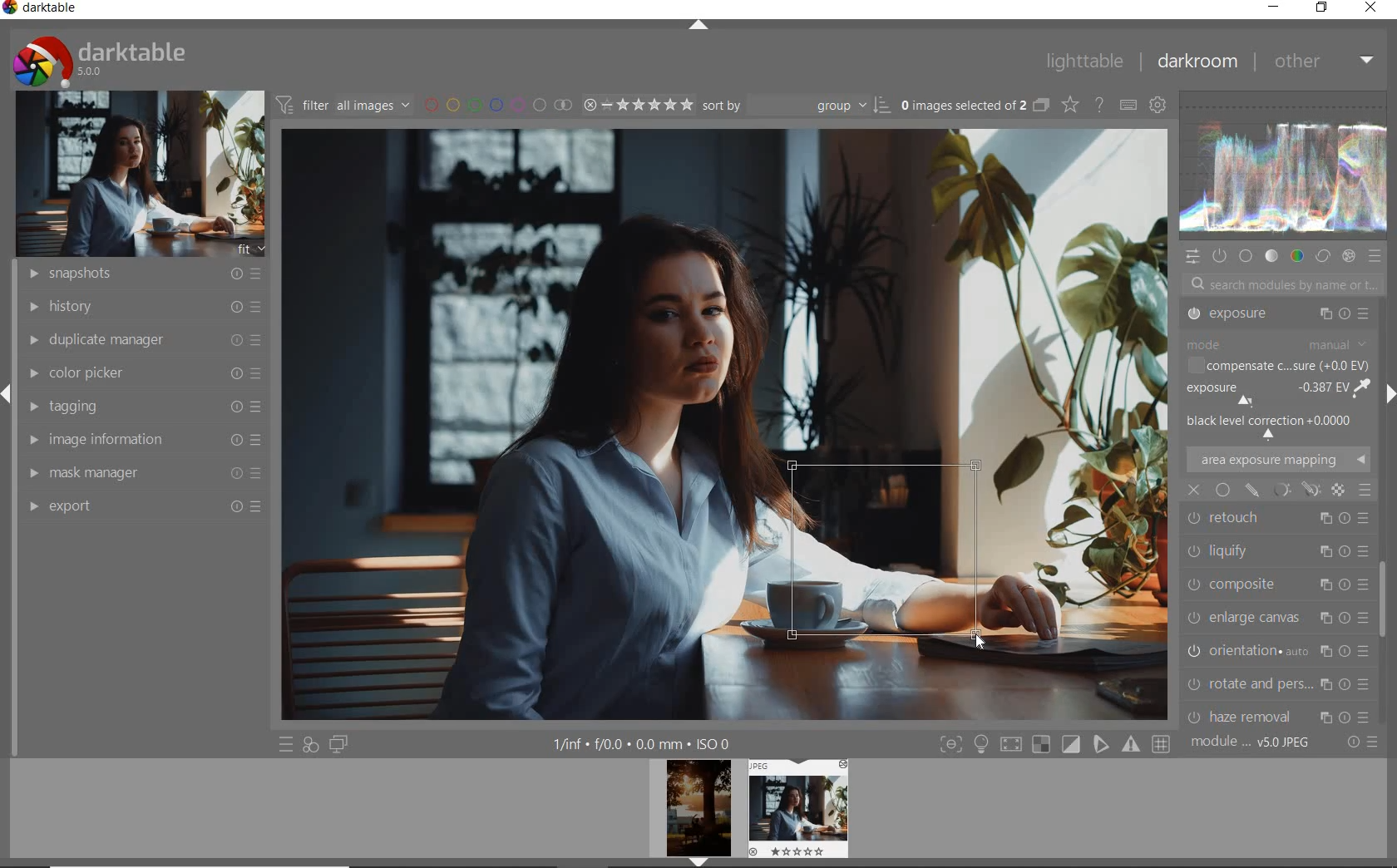 Image resolution: width=1397 pixels, height=868 pixels. Describe the element at coordinates (1085, 62) in the screenshot. I see `LIGHTTABLE` at that location.